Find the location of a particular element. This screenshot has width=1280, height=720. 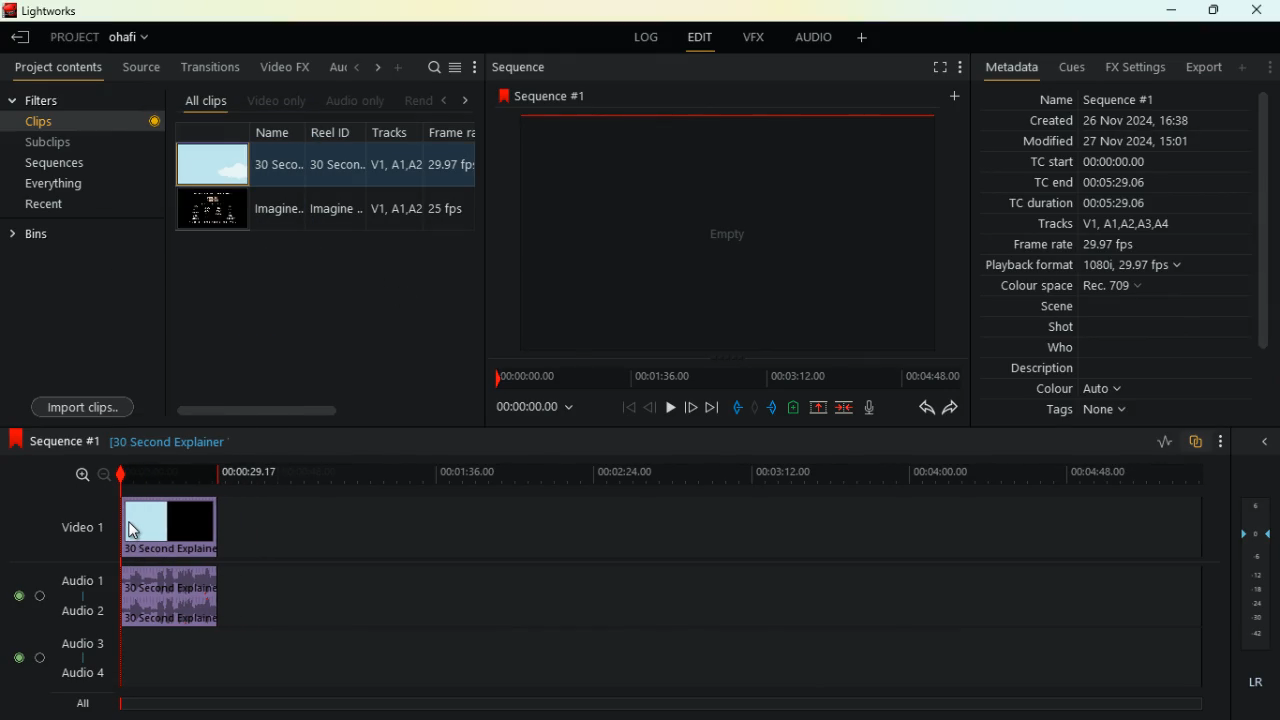

scroll is located at coordinates (281, 408).